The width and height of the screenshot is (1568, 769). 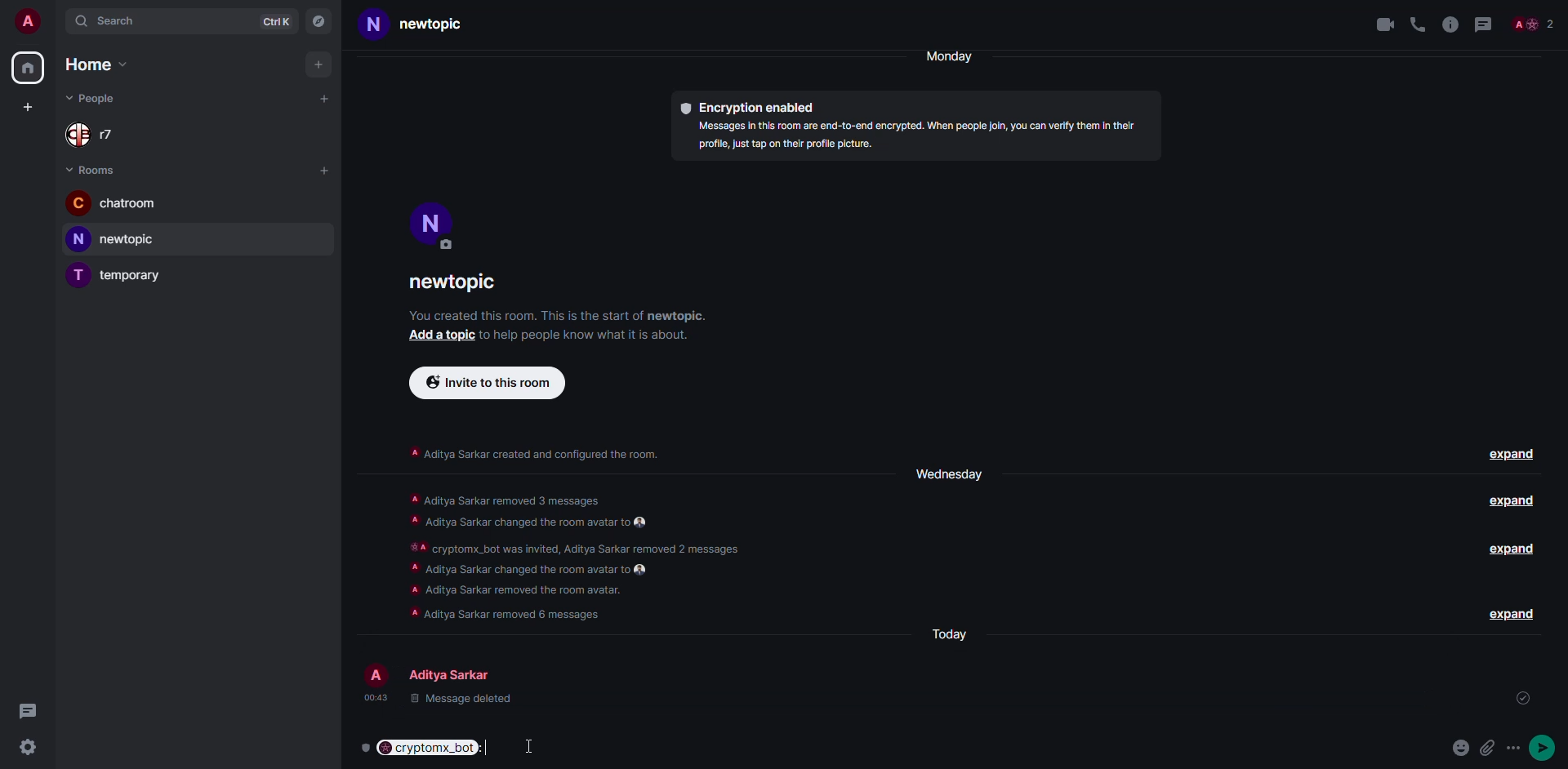 I want to click on send, so click(x=1547, y=746).